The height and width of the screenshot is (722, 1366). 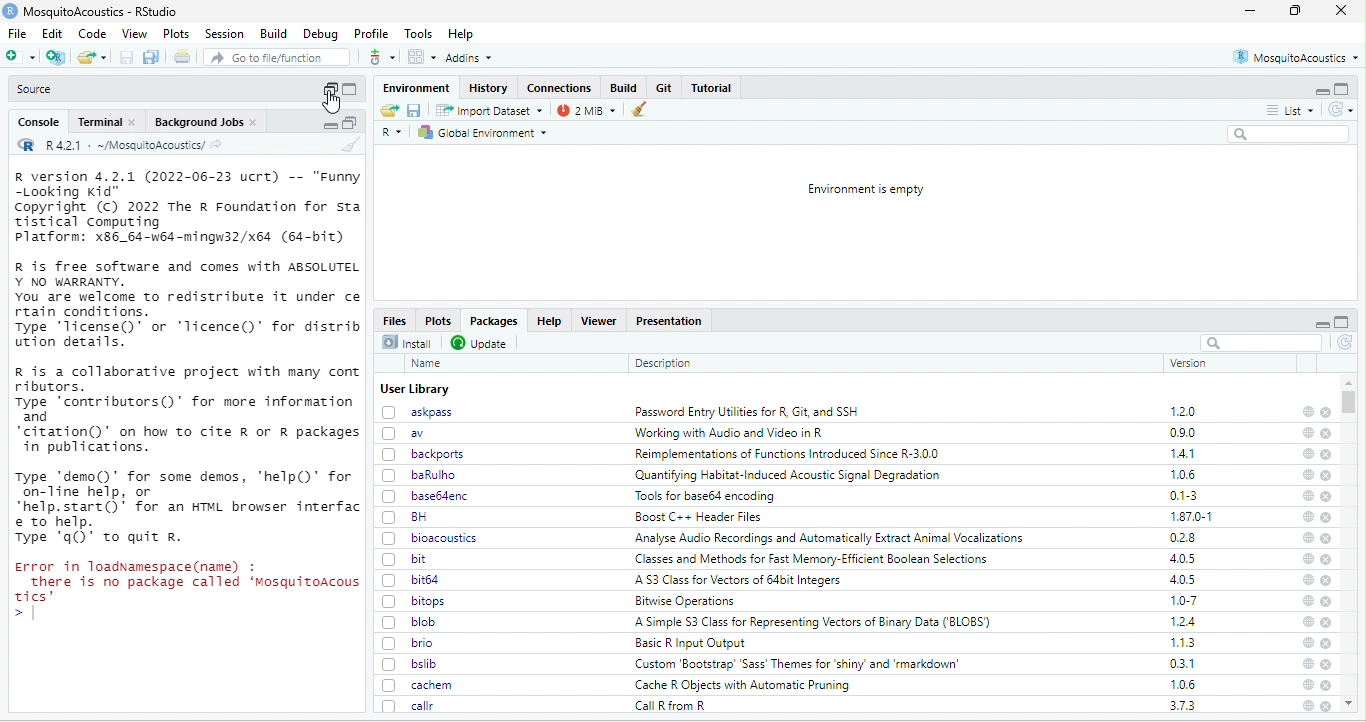 I want to click on close, so click(x=1328, y=581).